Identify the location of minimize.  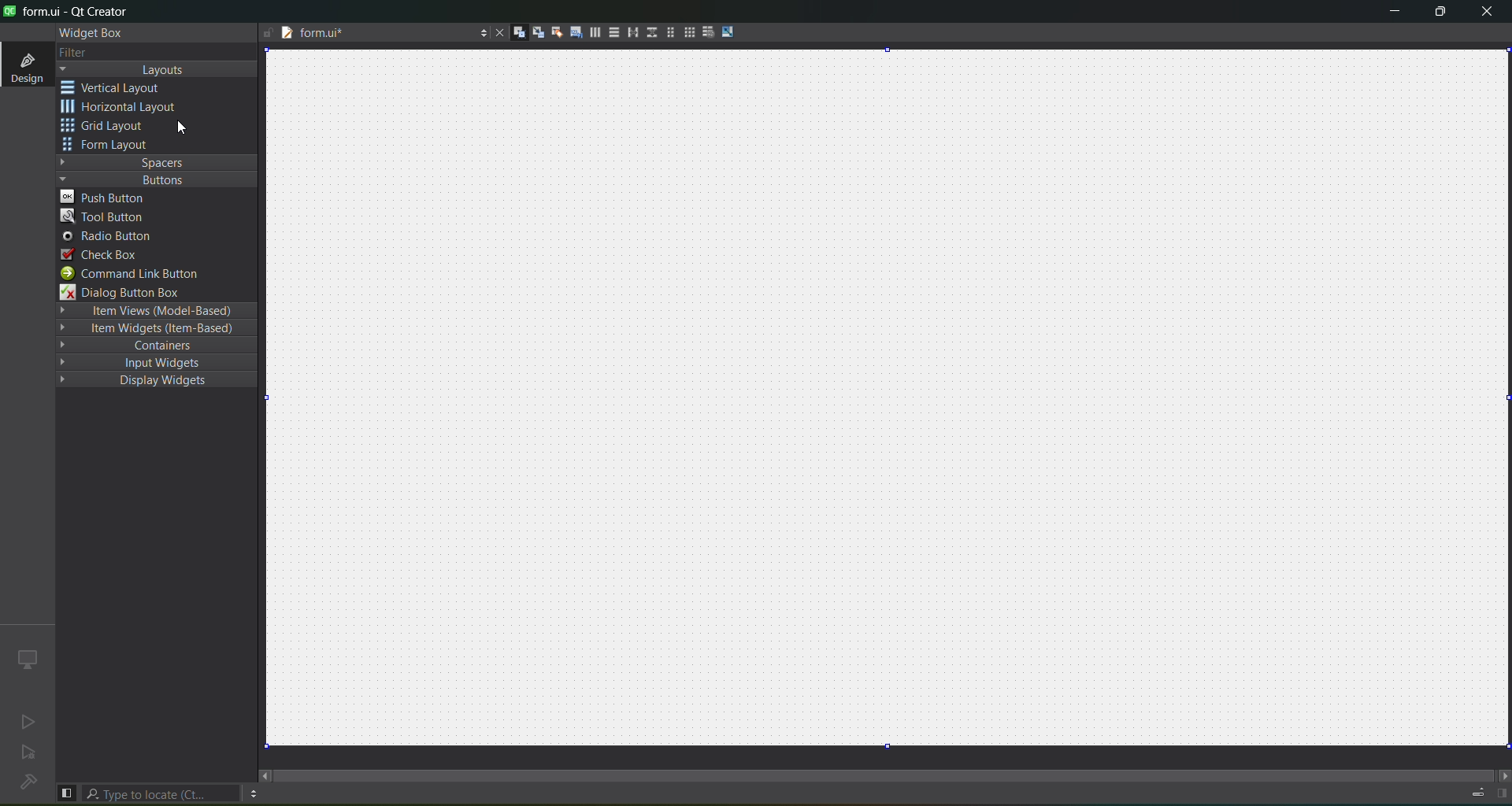
(1389, 13).